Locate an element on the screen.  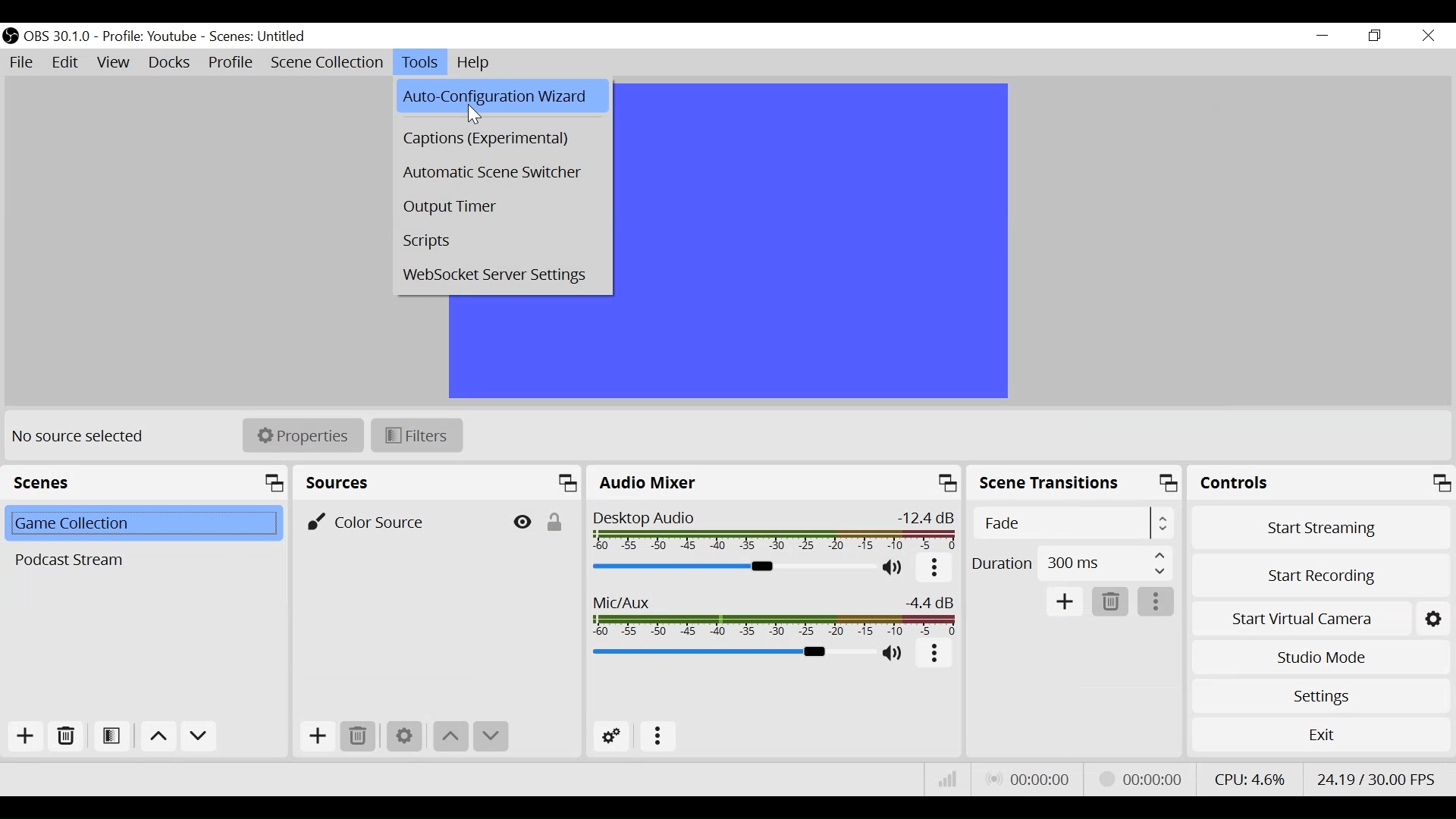
Add is located at coordinates (25, 736).